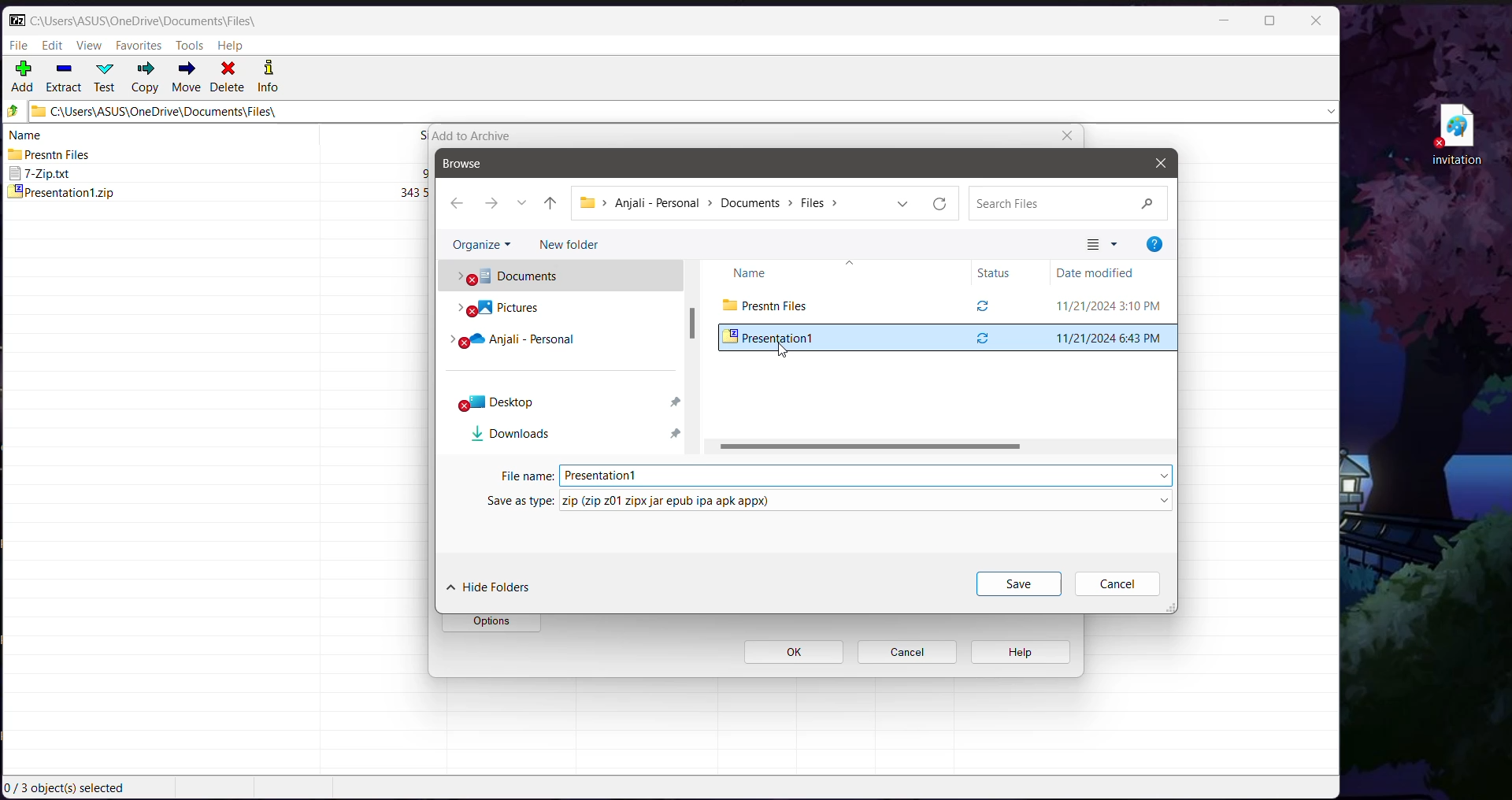 The image size is (1512, 800). What do you see at coordinates (897, 203) in the screenshot?
I see `Previous locations` at bounding box center [897, 203].